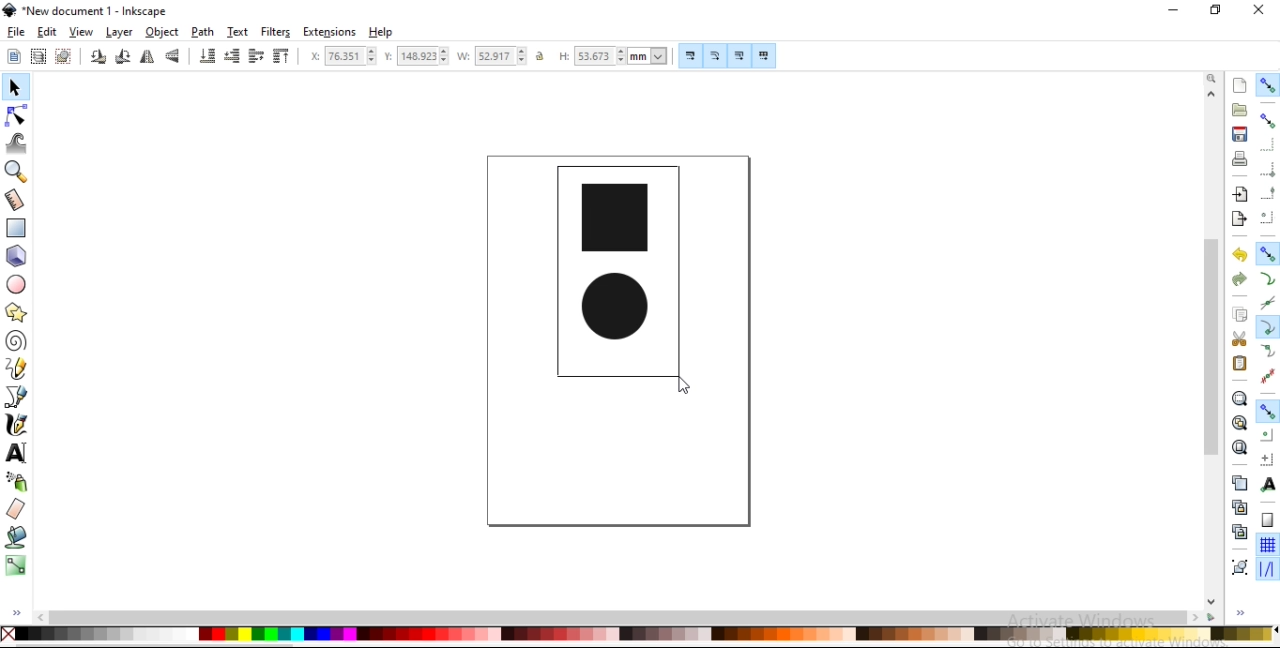 This screenshot has width=1280, height=648. I want to click on height of selection, so click(611, 54).